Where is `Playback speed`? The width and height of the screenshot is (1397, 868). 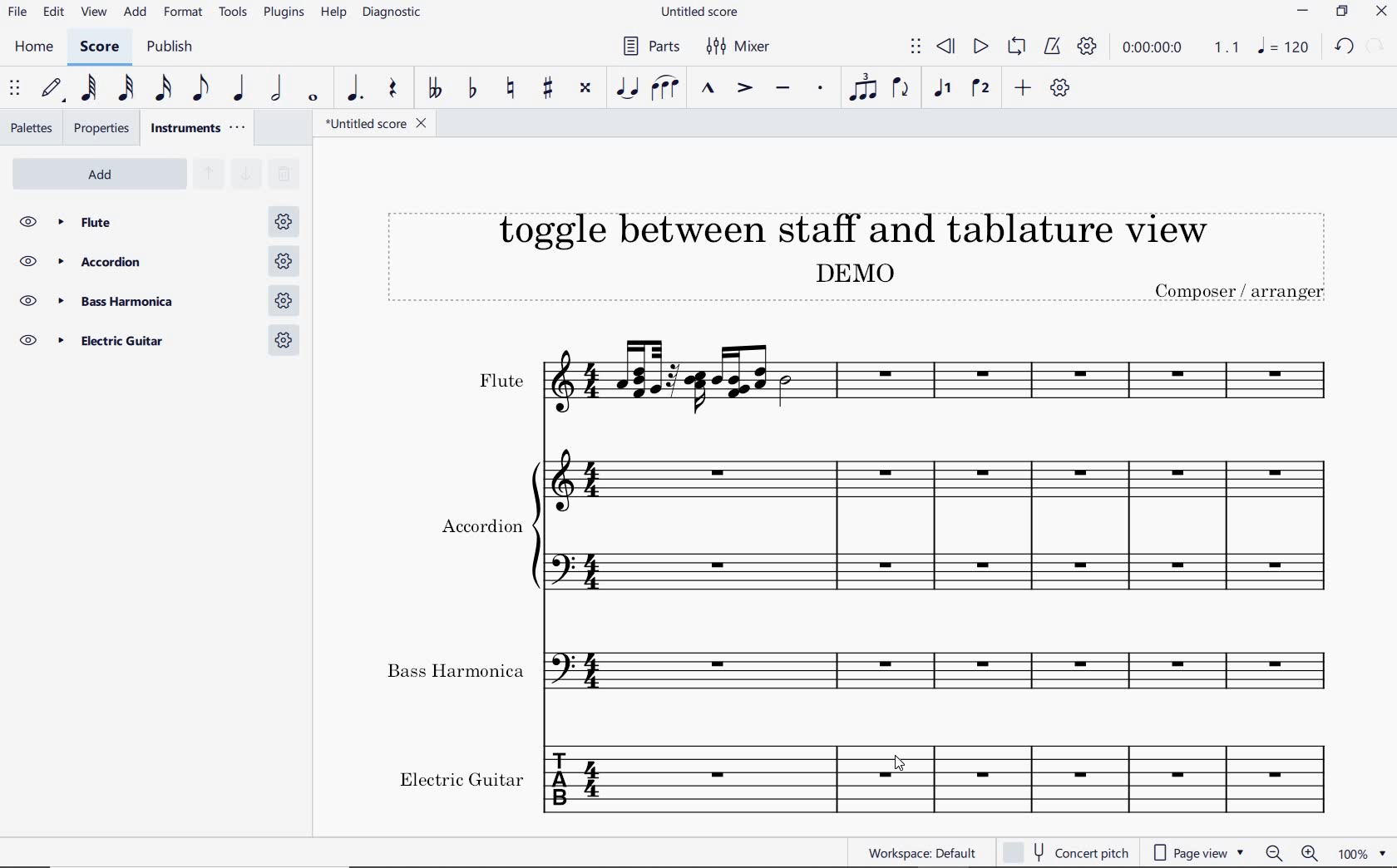
Playback speed is located at coordinates (1228, 49).